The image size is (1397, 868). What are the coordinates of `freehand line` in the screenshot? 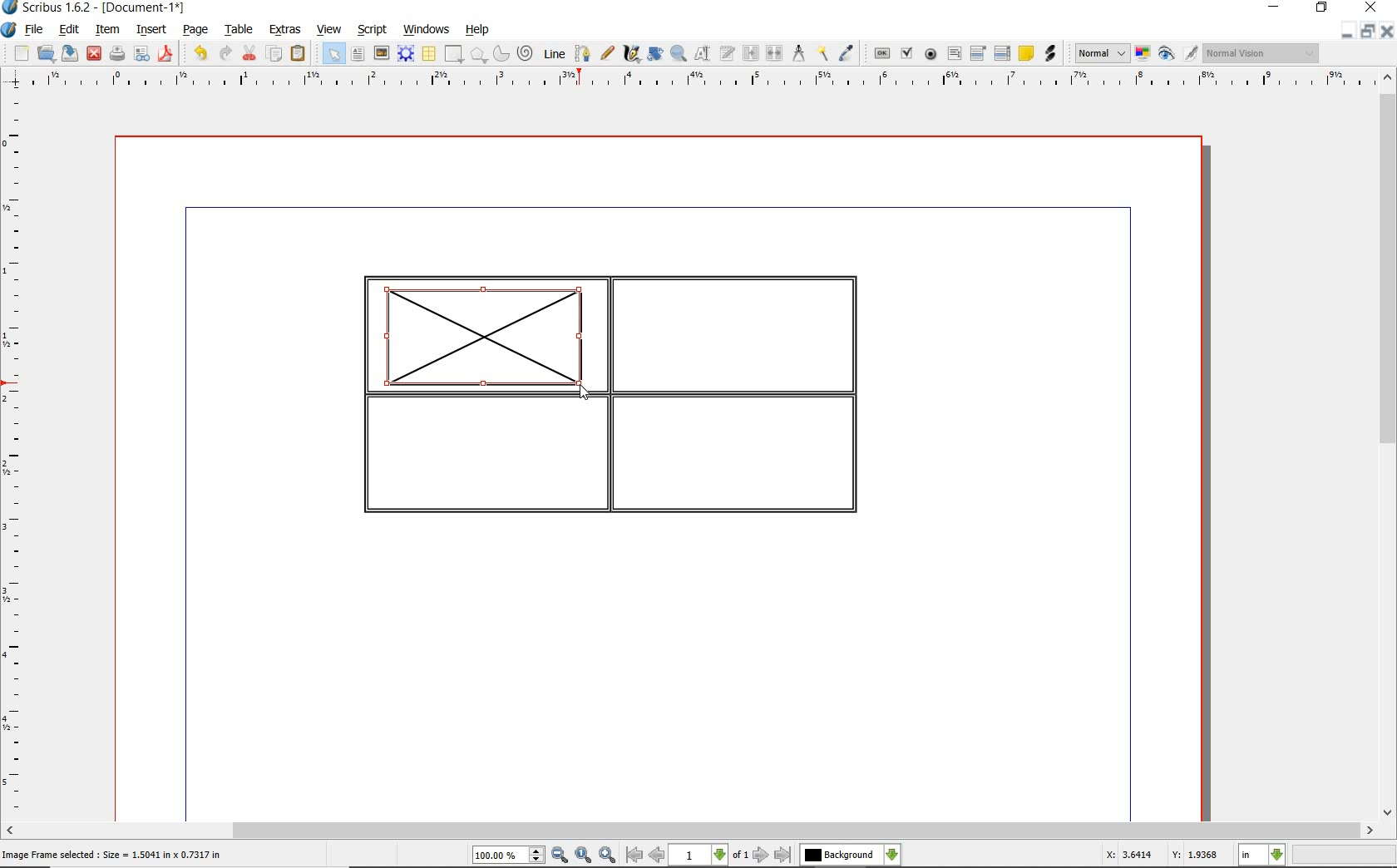 It's located at (609, 54).